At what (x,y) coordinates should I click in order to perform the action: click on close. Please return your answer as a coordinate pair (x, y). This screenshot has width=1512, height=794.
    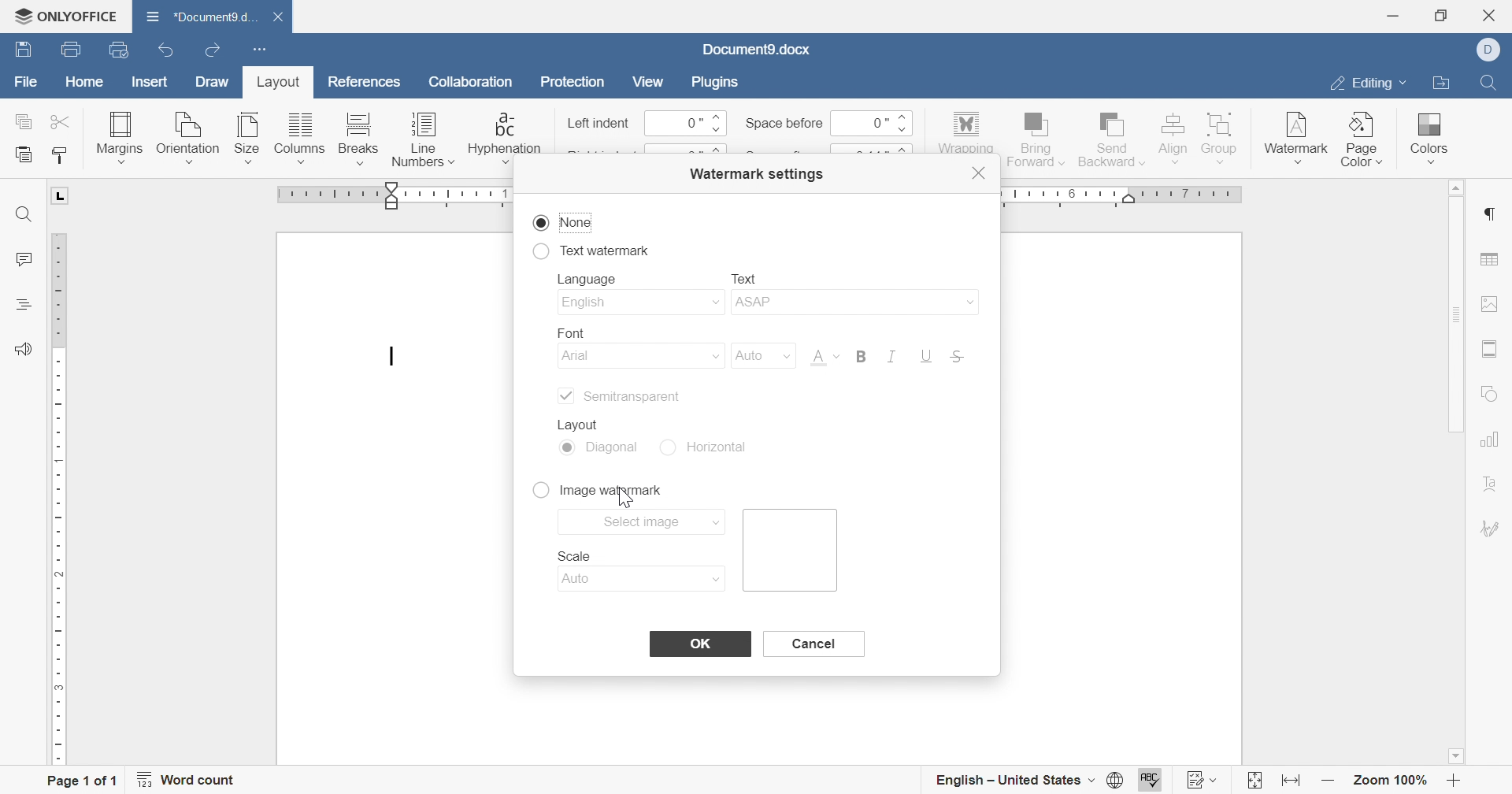
    Looking at the image, I should click on (286, 18).